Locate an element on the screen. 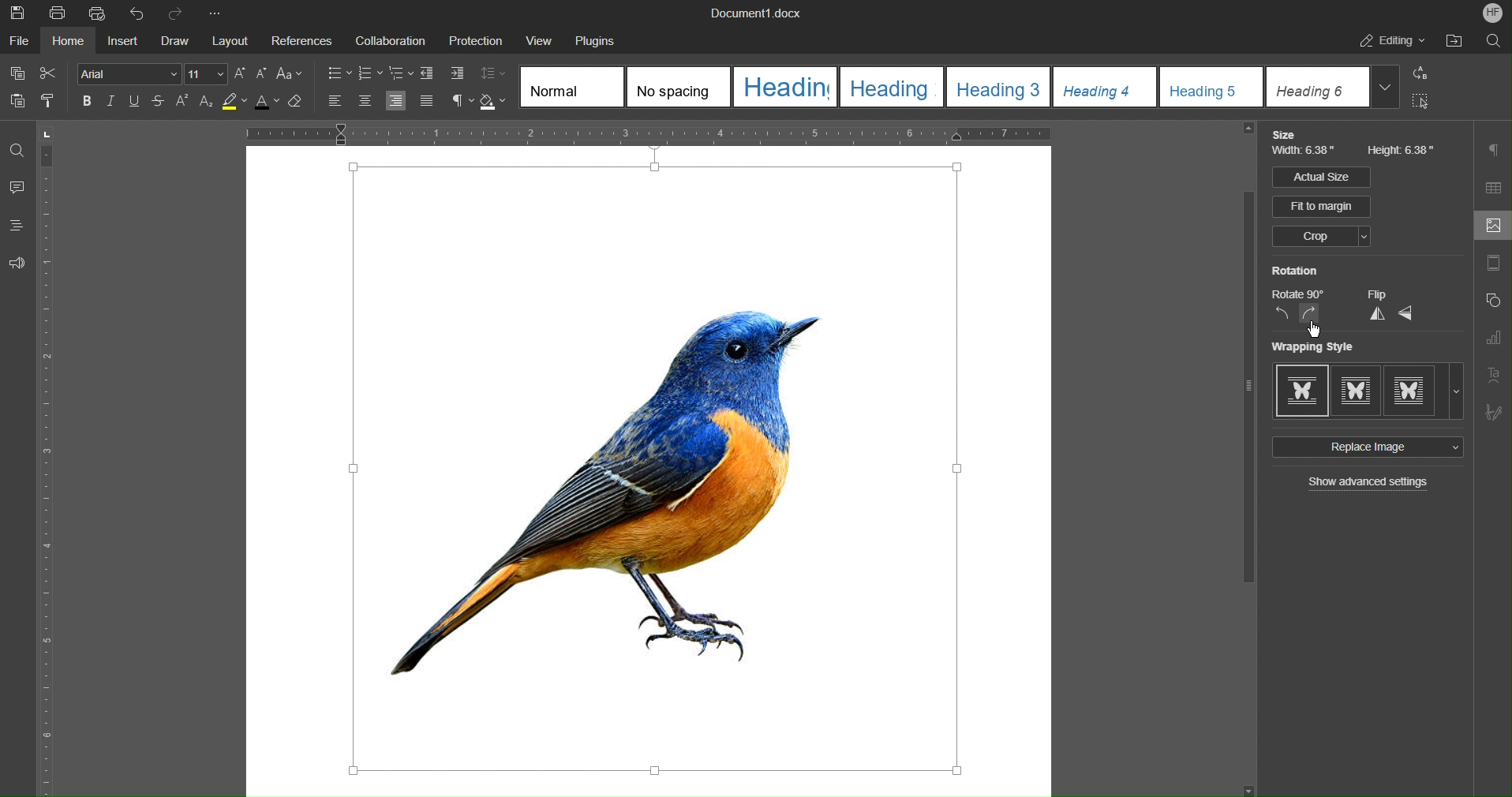  Collaboration is located at coordinates (387, 38).